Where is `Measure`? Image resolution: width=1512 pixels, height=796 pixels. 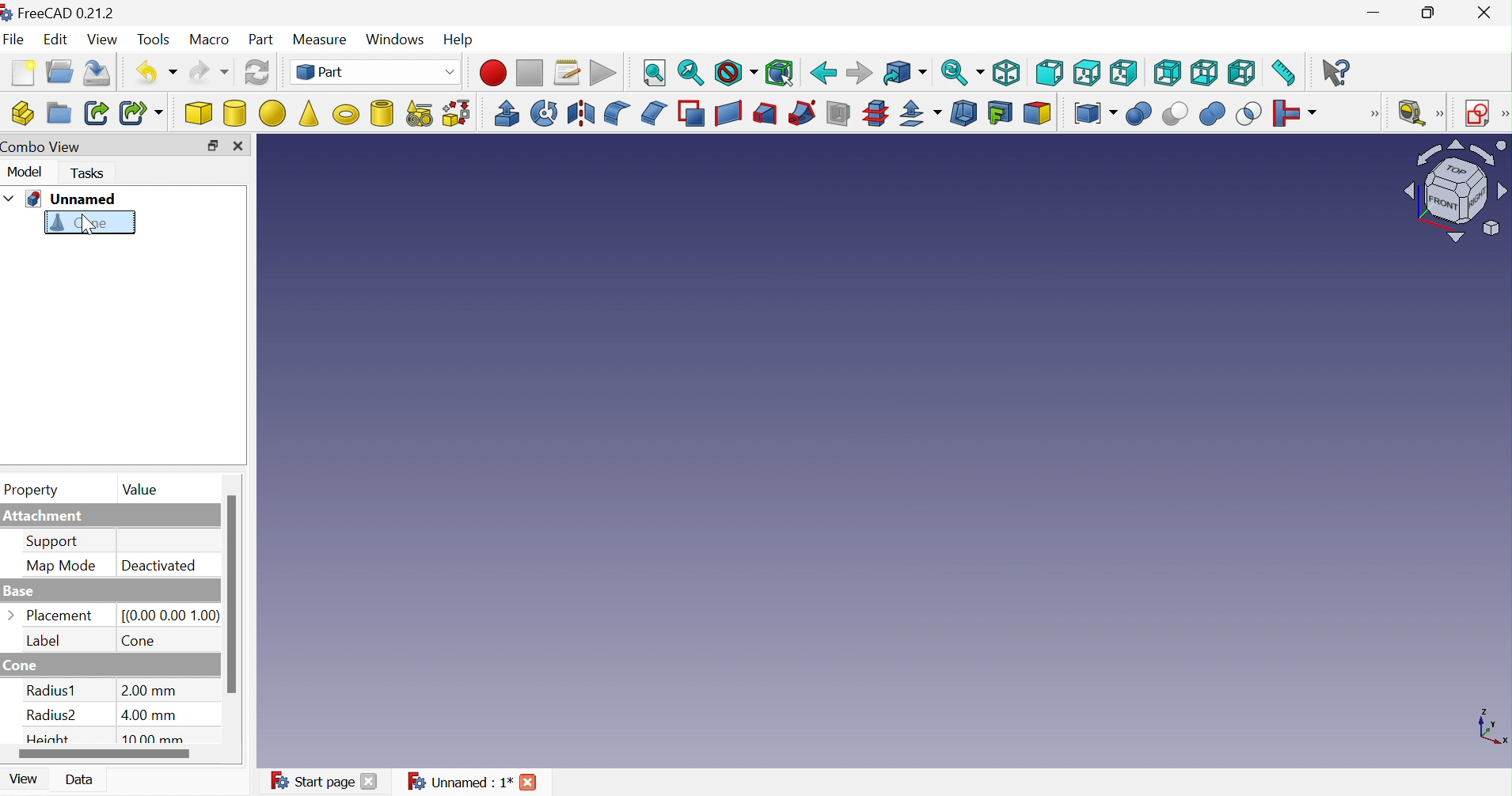 Measure is located at coordinates (319, 38).